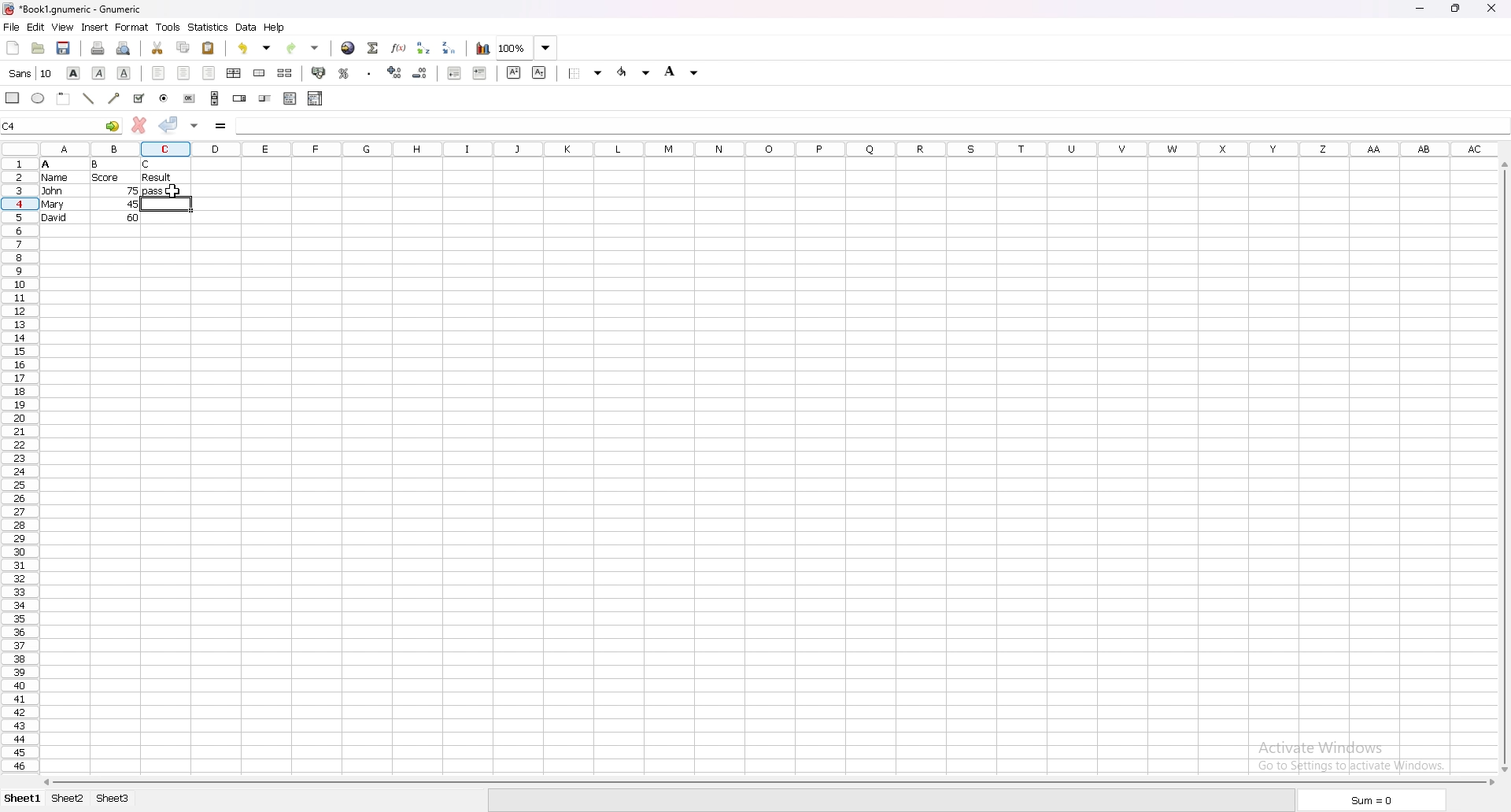 This screenshot has width=1511, height=812. Describe the element at coordinates (13, 98) in the screenshot. I see `rectangle` at that location.